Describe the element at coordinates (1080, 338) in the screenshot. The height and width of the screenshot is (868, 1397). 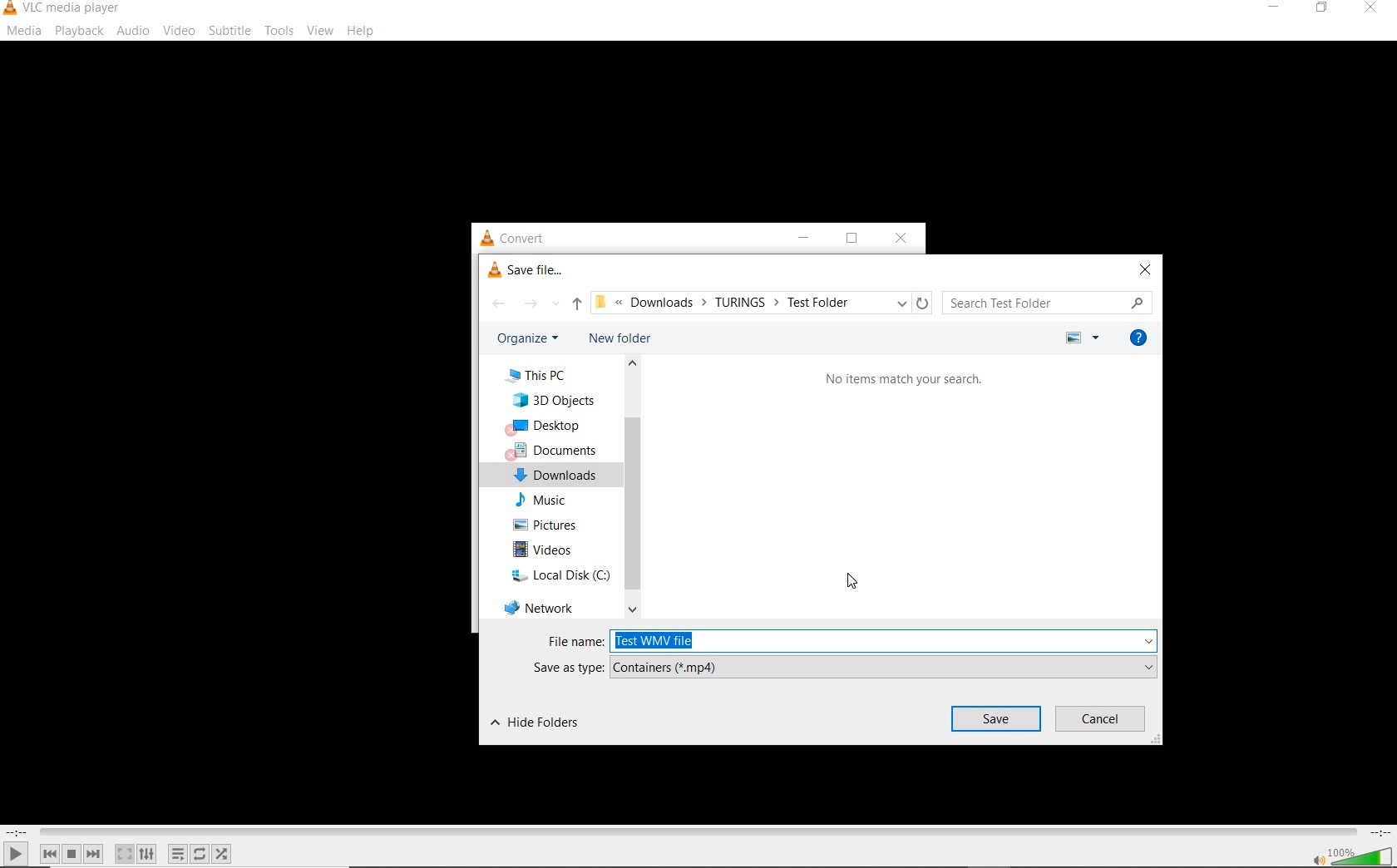
I see `more options` at that location.